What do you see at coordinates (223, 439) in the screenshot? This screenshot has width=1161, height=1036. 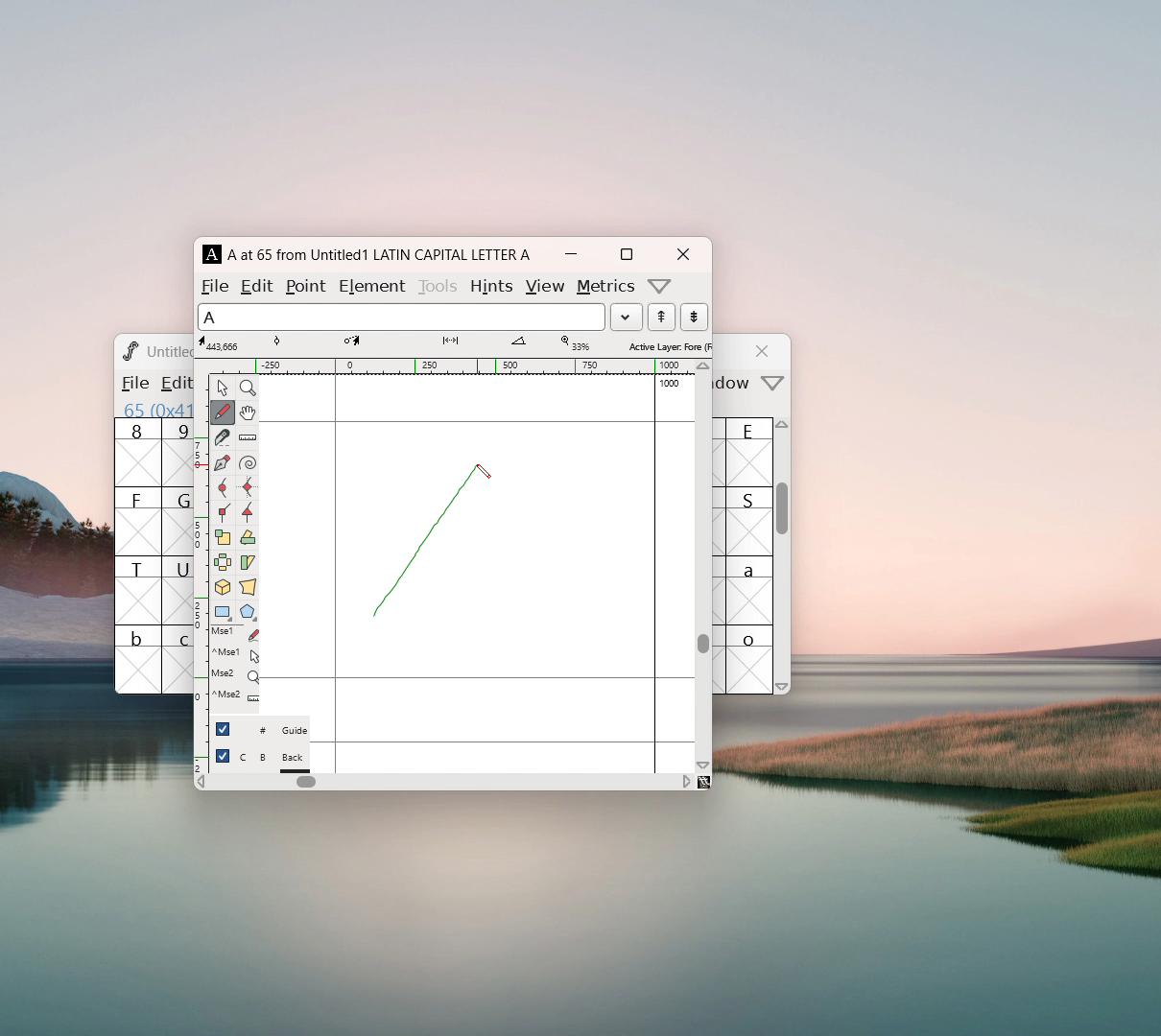 I see `cut splines in two` at bounding box center [223, 439].